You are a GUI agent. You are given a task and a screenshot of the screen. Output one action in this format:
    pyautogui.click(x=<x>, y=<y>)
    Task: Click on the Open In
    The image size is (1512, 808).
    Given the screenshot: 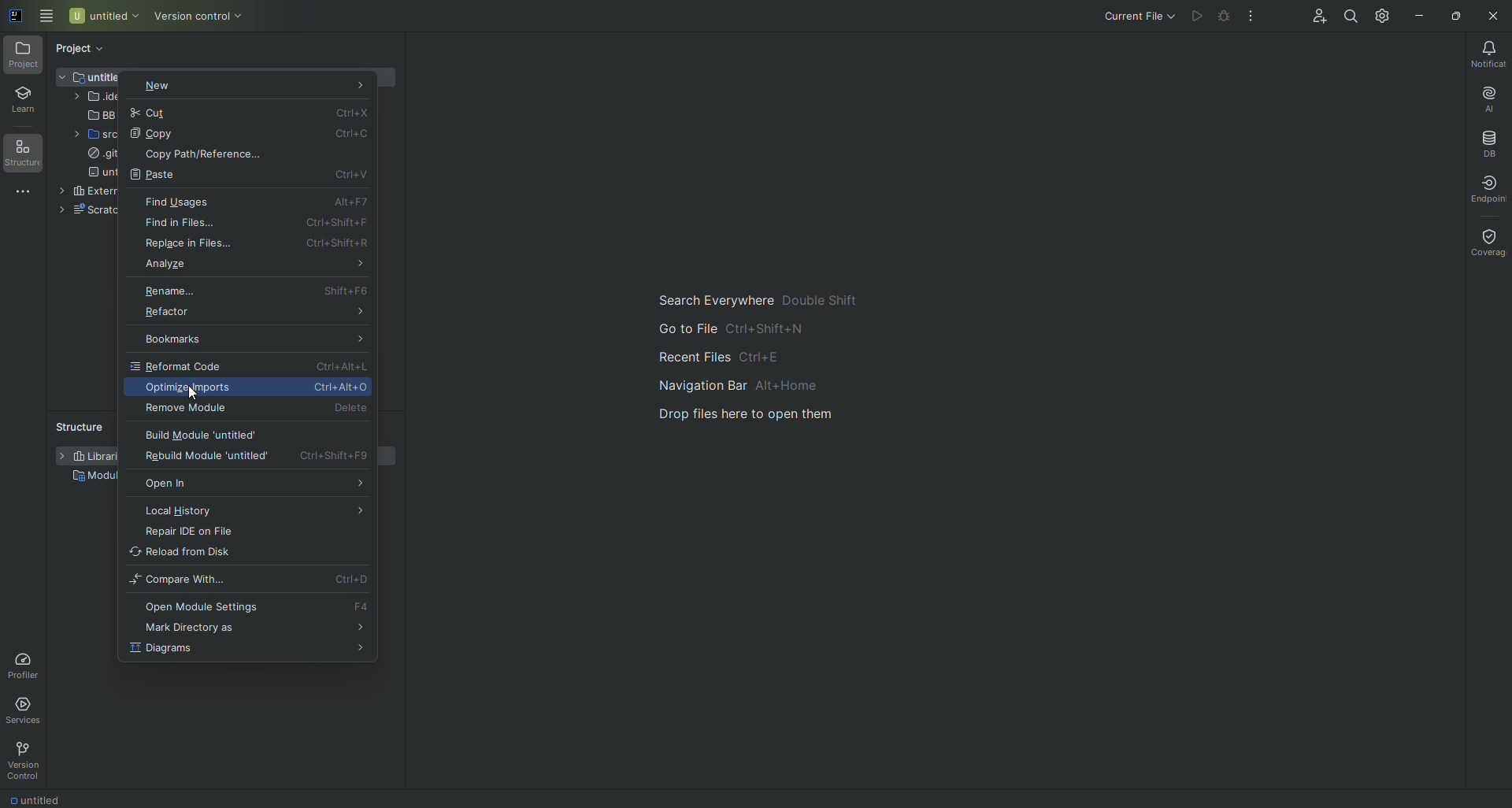 What is the action you would take?
    pyautogui.click(x=251, y=484)
    